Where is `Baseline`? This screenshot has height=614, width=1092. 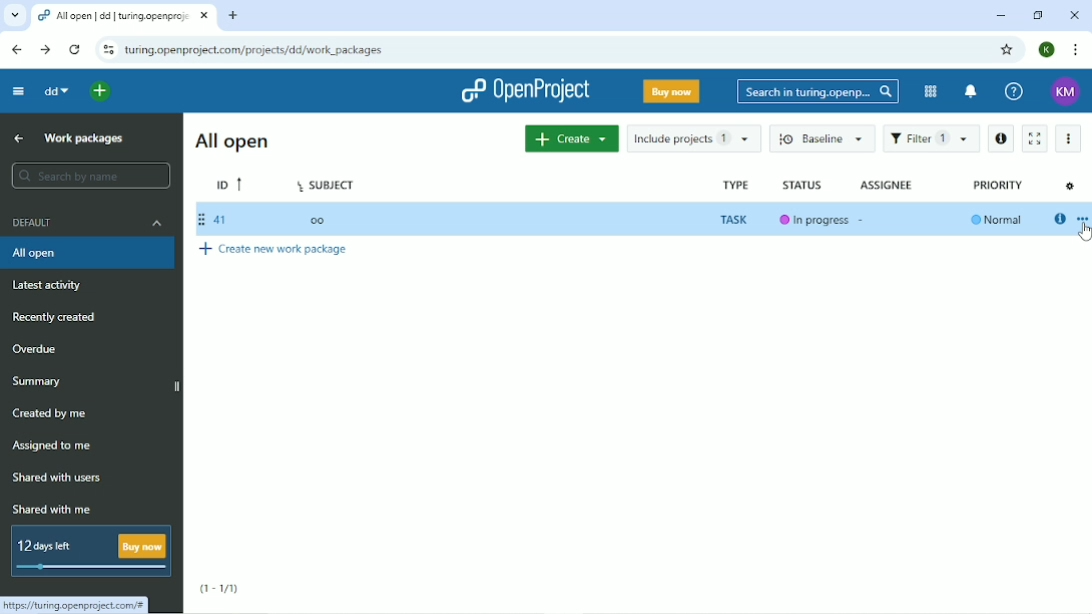 Baseline is located at coordinates (823, 139).